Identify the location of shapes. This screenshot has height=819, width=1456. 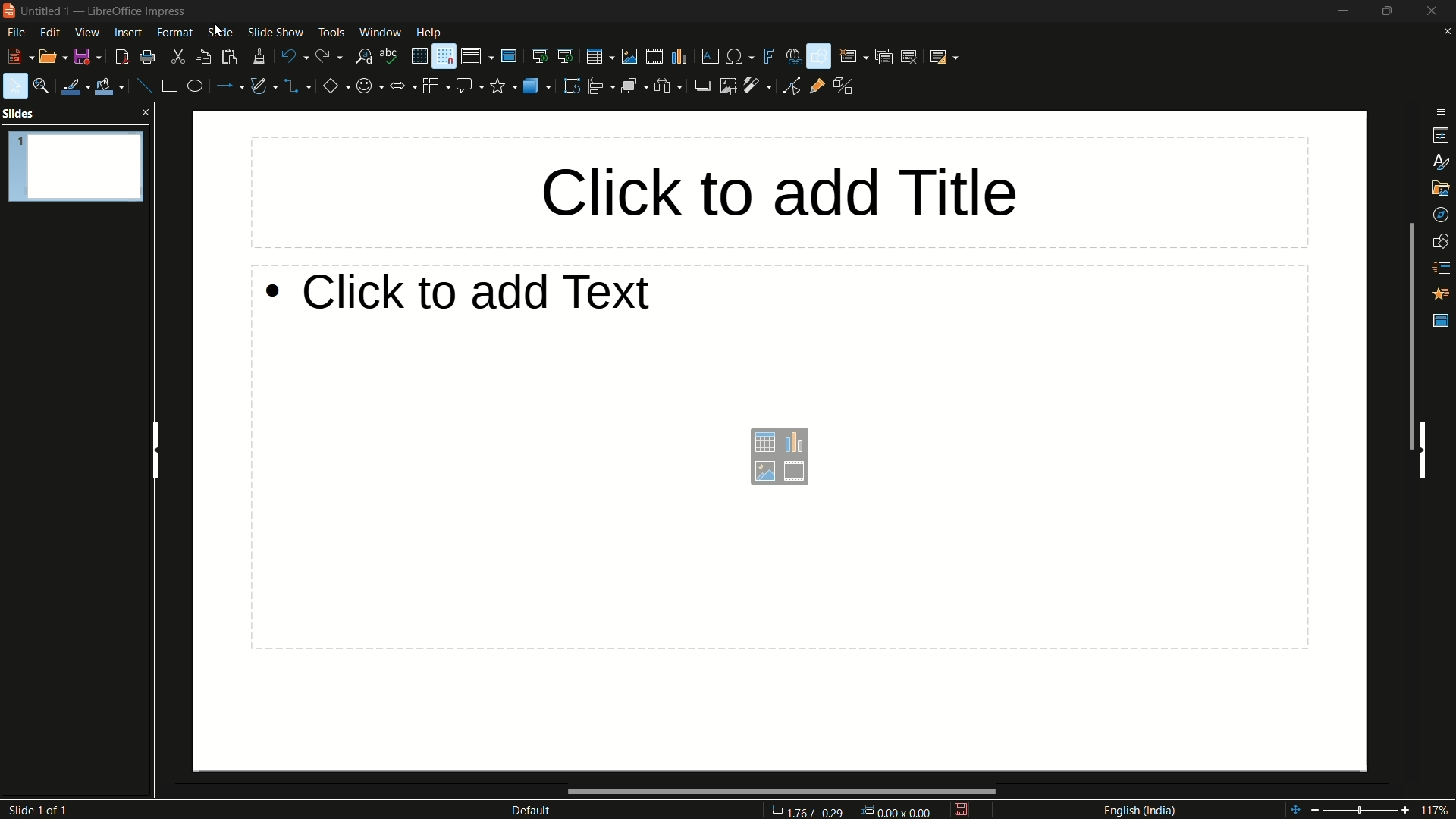
(1439, 240).